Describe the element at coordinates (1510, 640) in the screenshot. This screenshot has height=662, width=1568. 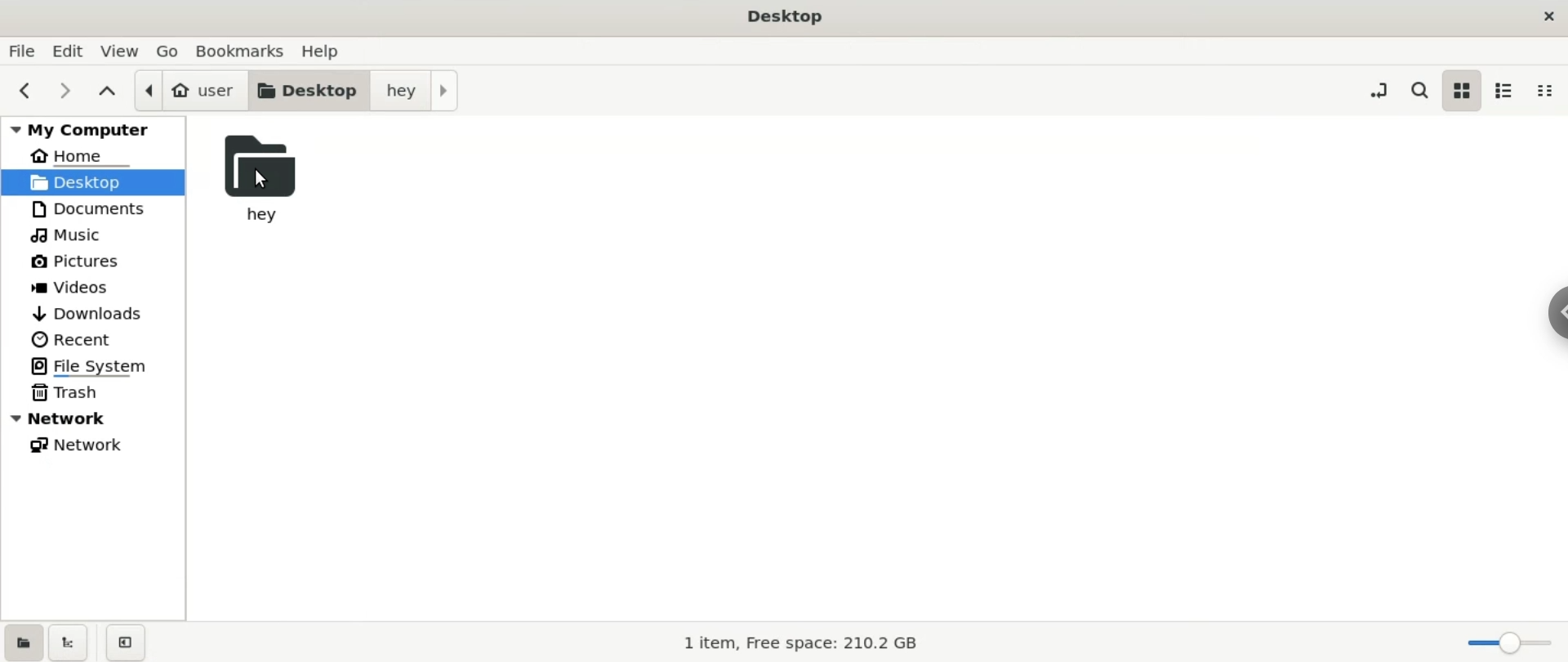
I see `zoom` at that location.